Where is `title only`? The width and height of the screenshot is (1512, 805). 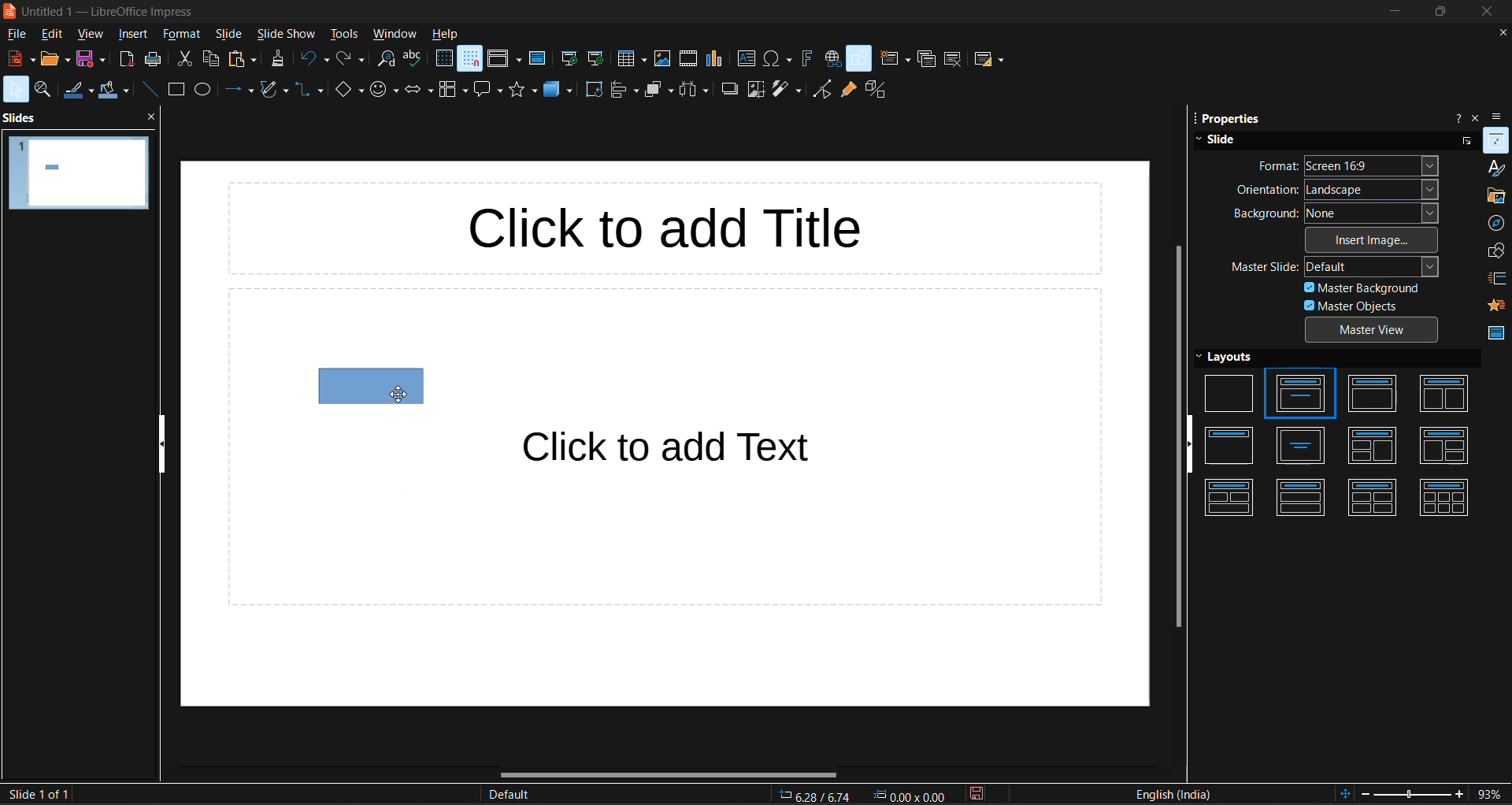 title only is located at coordinates (1231, 446).